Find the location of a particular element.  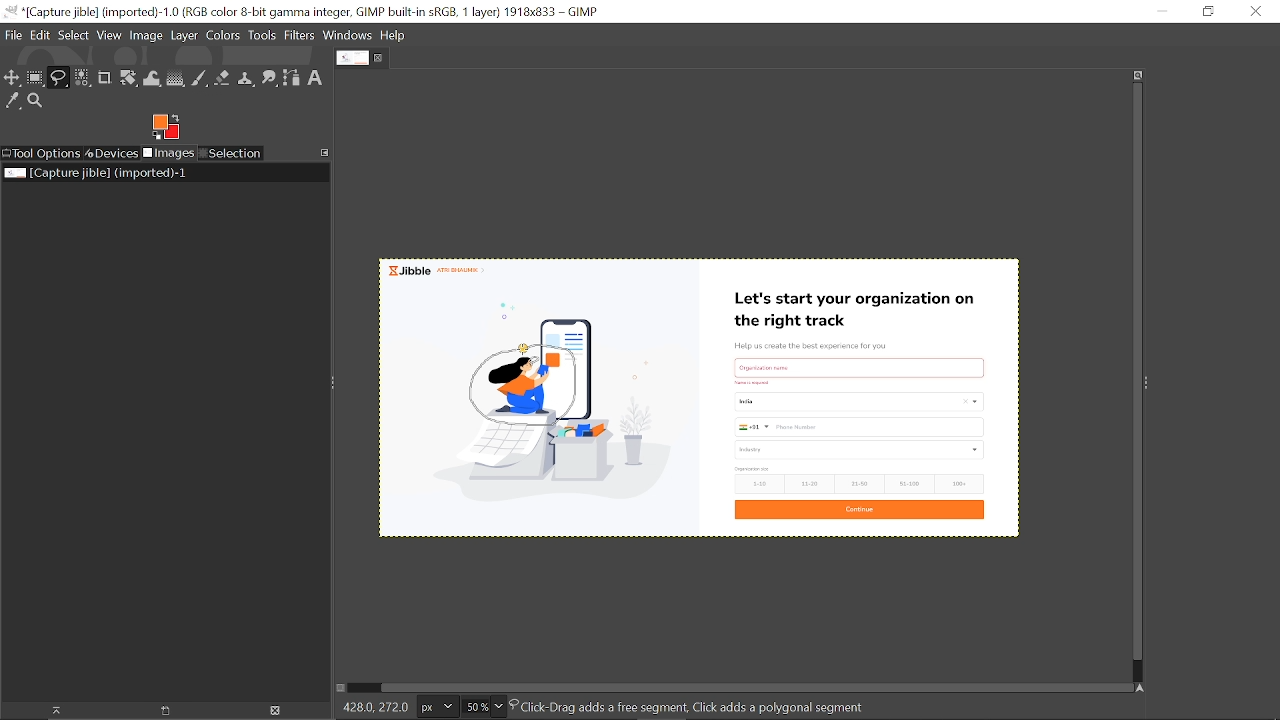

Current image unit is located at coordinates (435, 707).